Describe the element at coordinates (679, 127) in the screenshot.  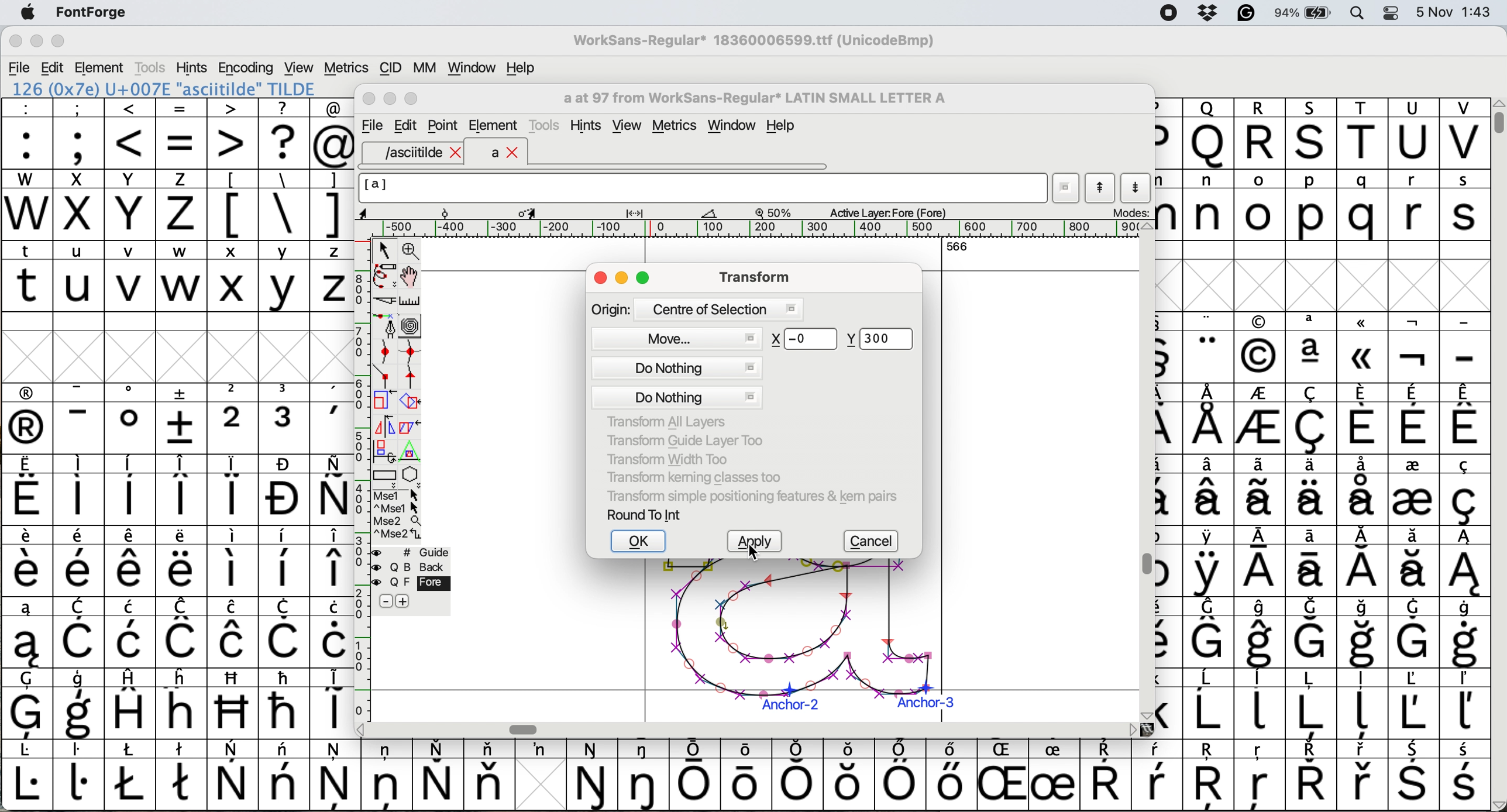
I see `metrics` at that location.